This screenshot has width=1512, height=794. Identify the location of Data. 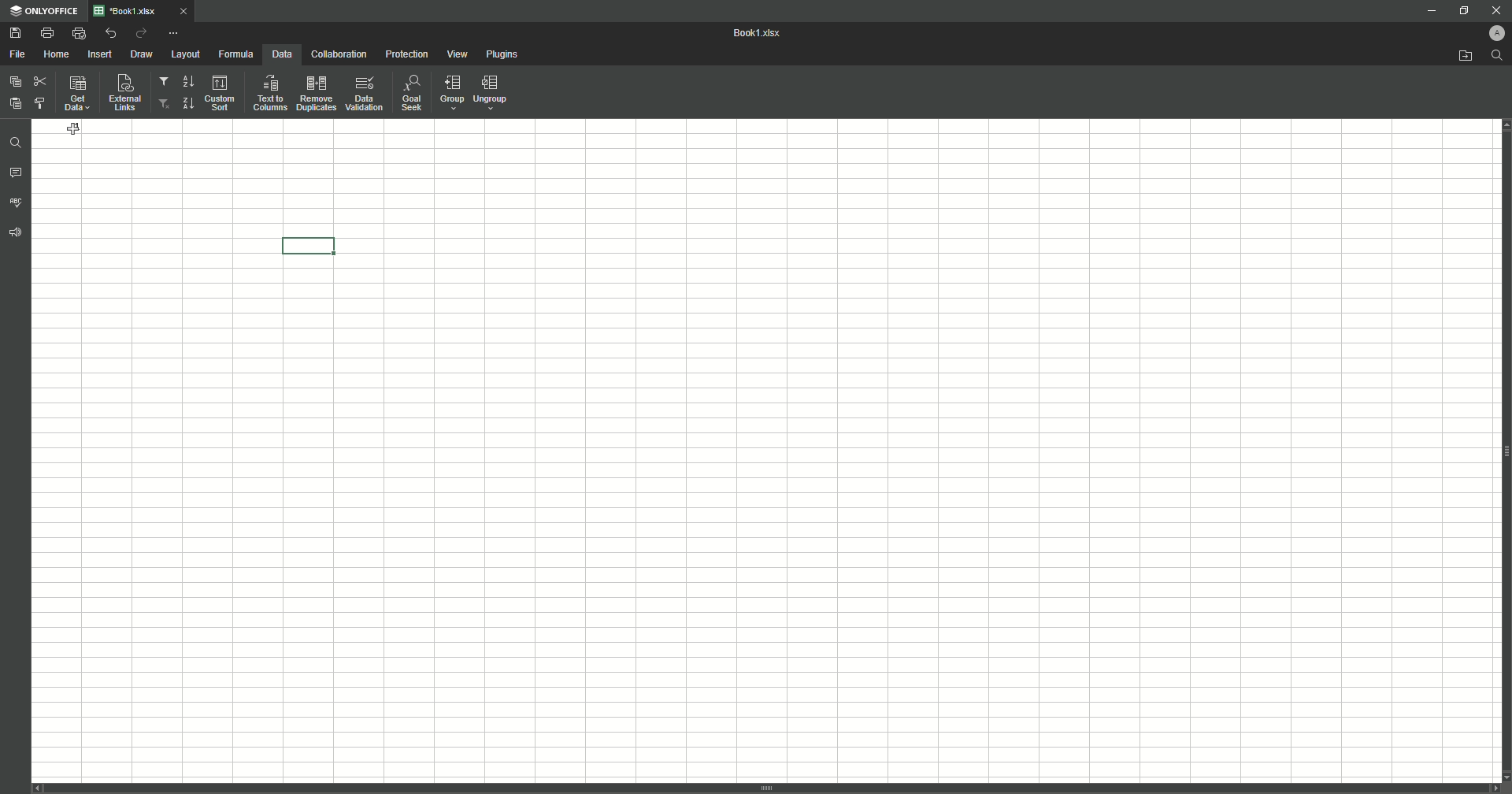
(280, 54).